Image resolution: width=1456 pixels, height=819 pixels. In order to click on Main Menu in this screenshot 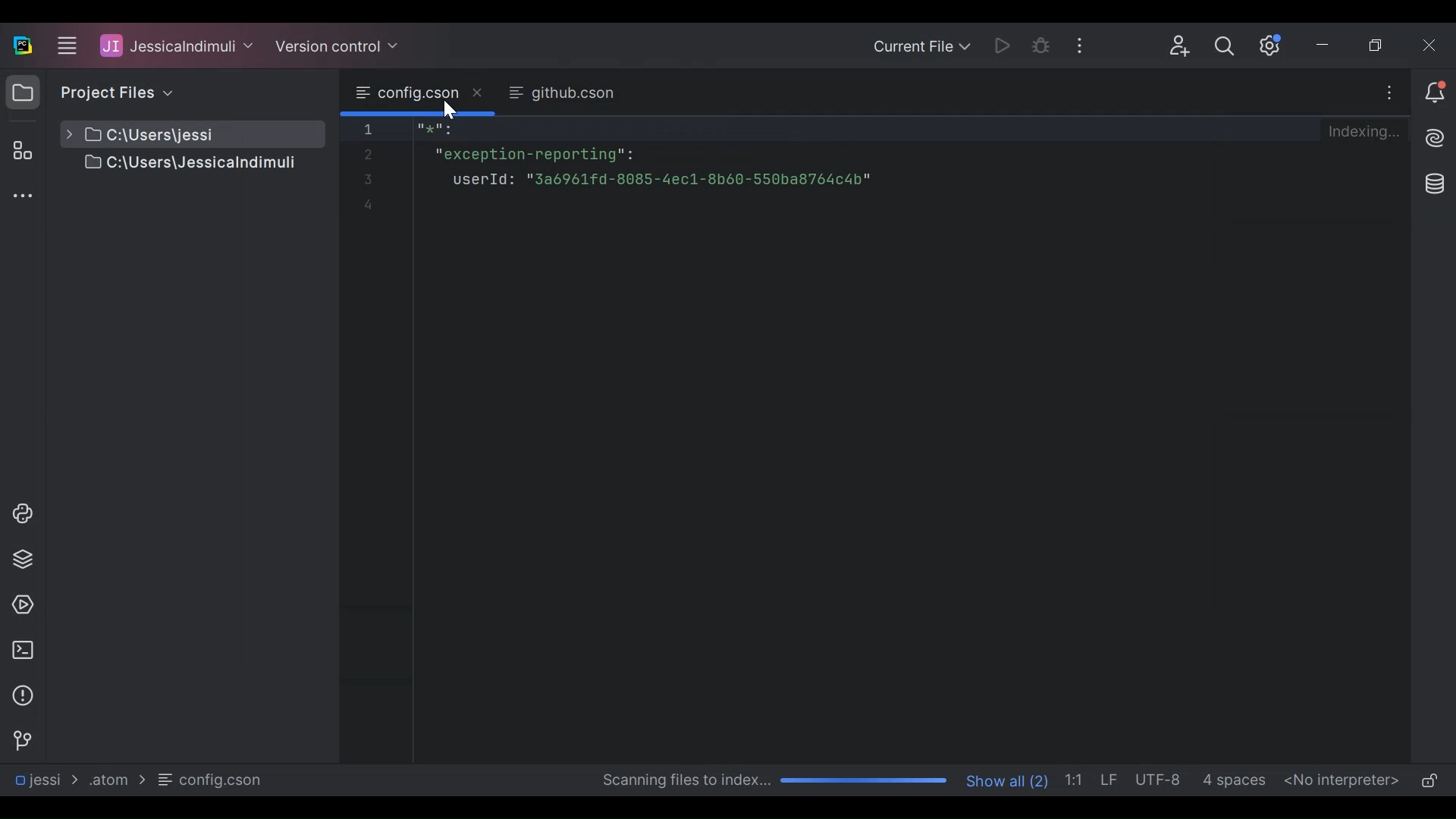, I will do `click(65, 43)`.